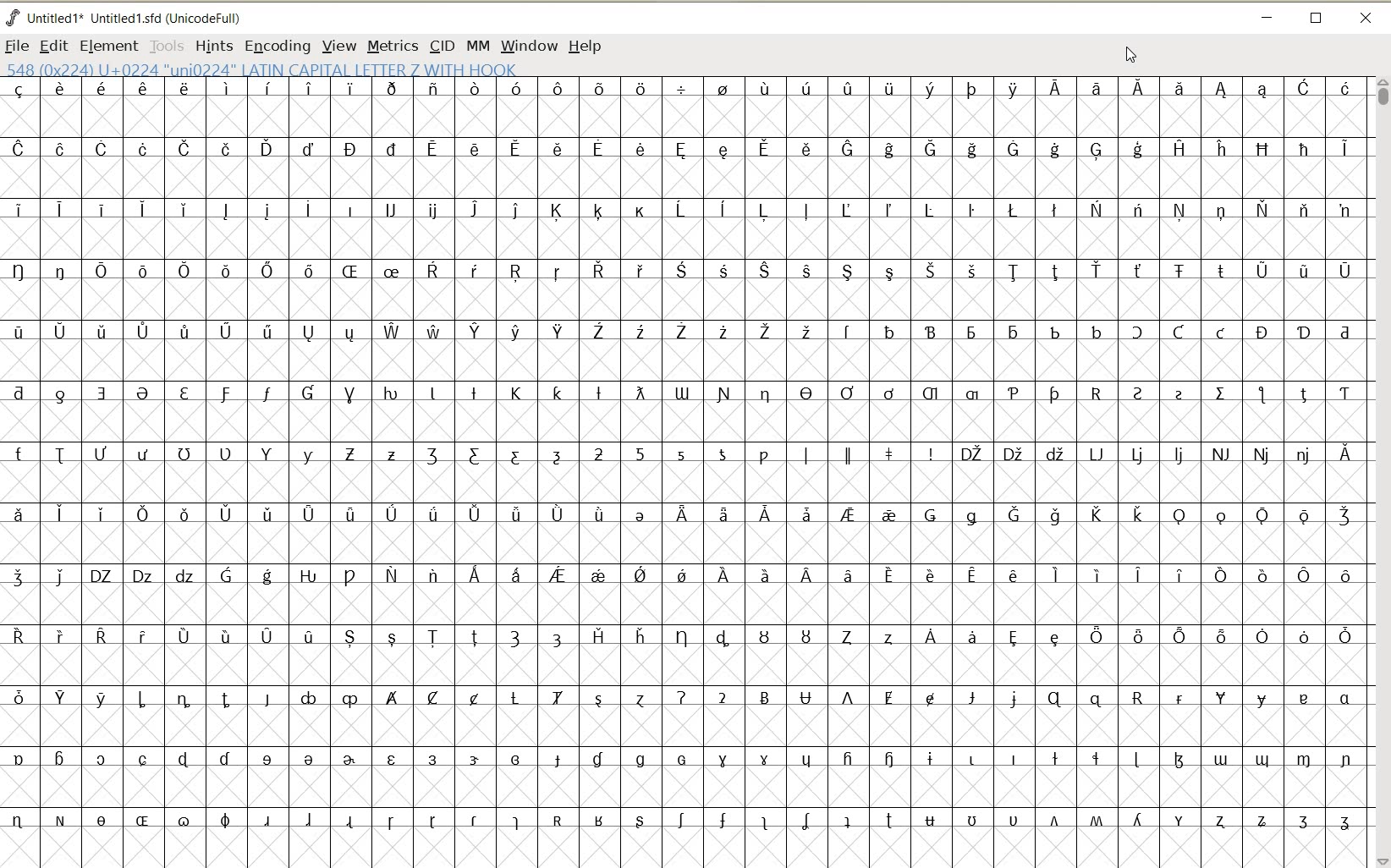 The width and height of the screenshot is (1391, 868). Describe the element at coordinates (336, 45) in the screenshot. I see `VIEW` at that location.